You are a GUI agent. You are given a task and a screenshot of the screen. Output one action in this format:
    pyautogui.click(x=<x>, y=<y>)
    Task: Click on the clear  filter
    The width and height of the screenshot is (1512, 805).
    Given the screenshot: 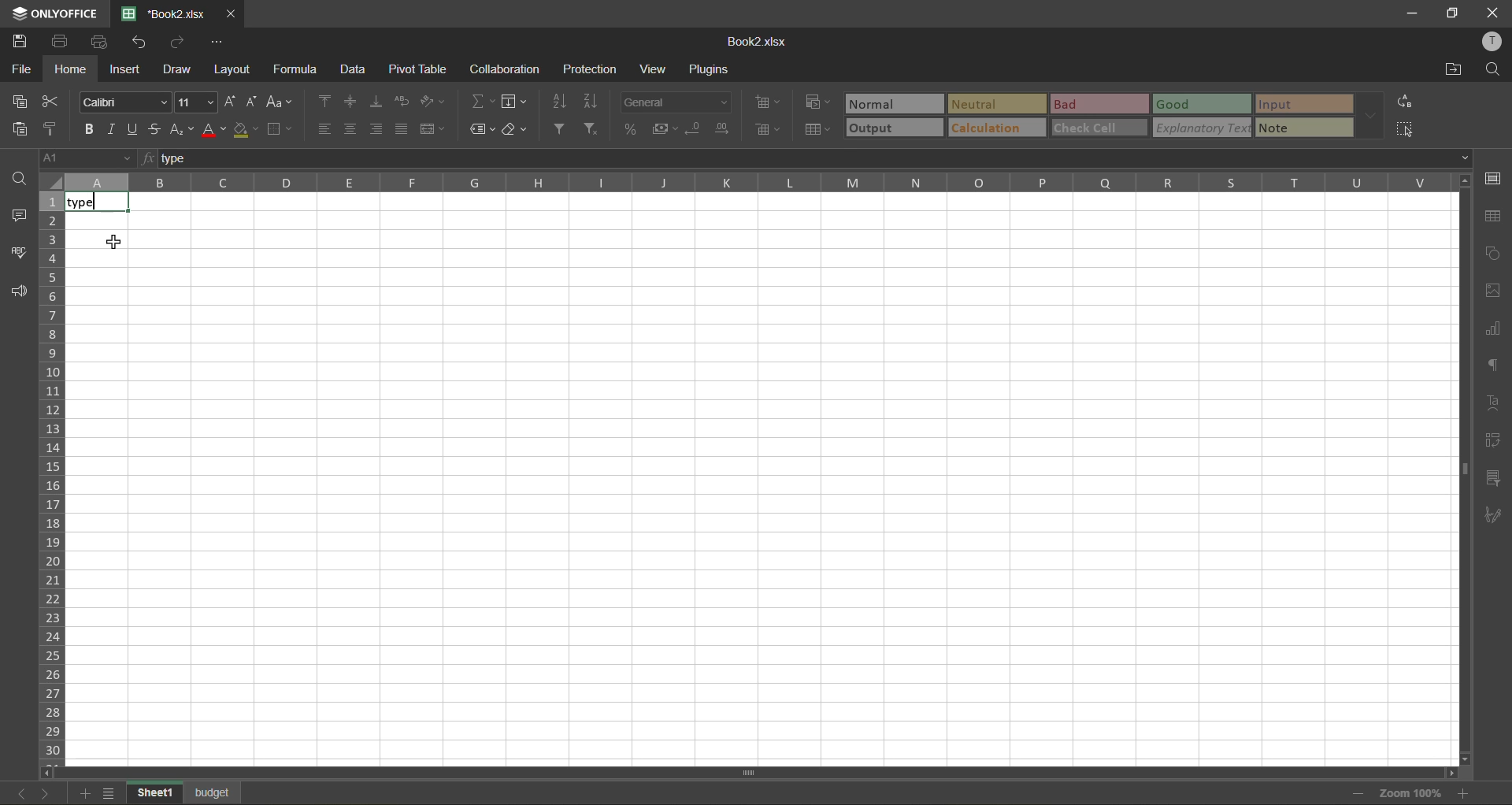 What is the action you would take?
    pyautogui.click(x=596, y=129)
    